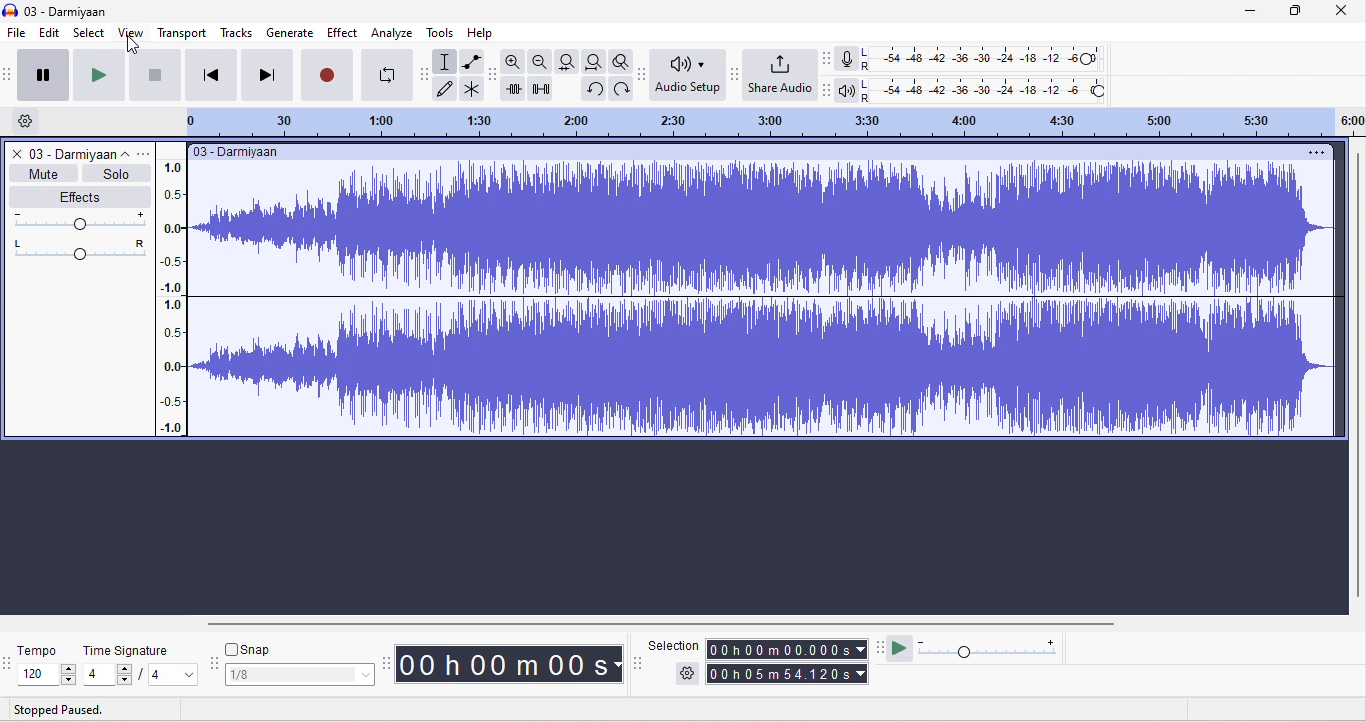 The image size is (1366, 722). Describe the element at coordinates (472, 90) in the screenshot. I see `multi tool` at that location.